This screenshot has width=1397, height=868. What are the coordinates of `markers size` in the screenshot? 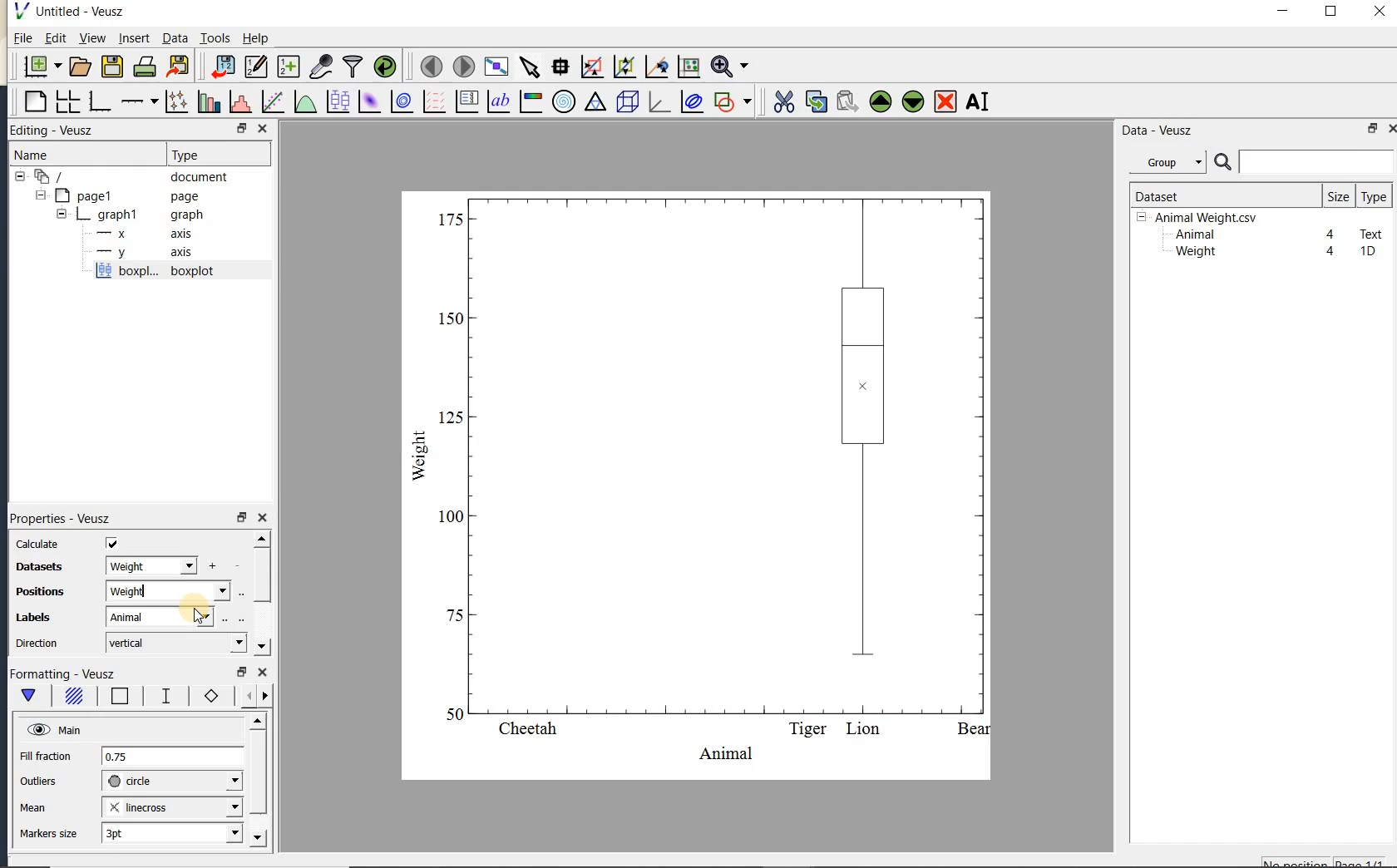 It's located at (51, 834).